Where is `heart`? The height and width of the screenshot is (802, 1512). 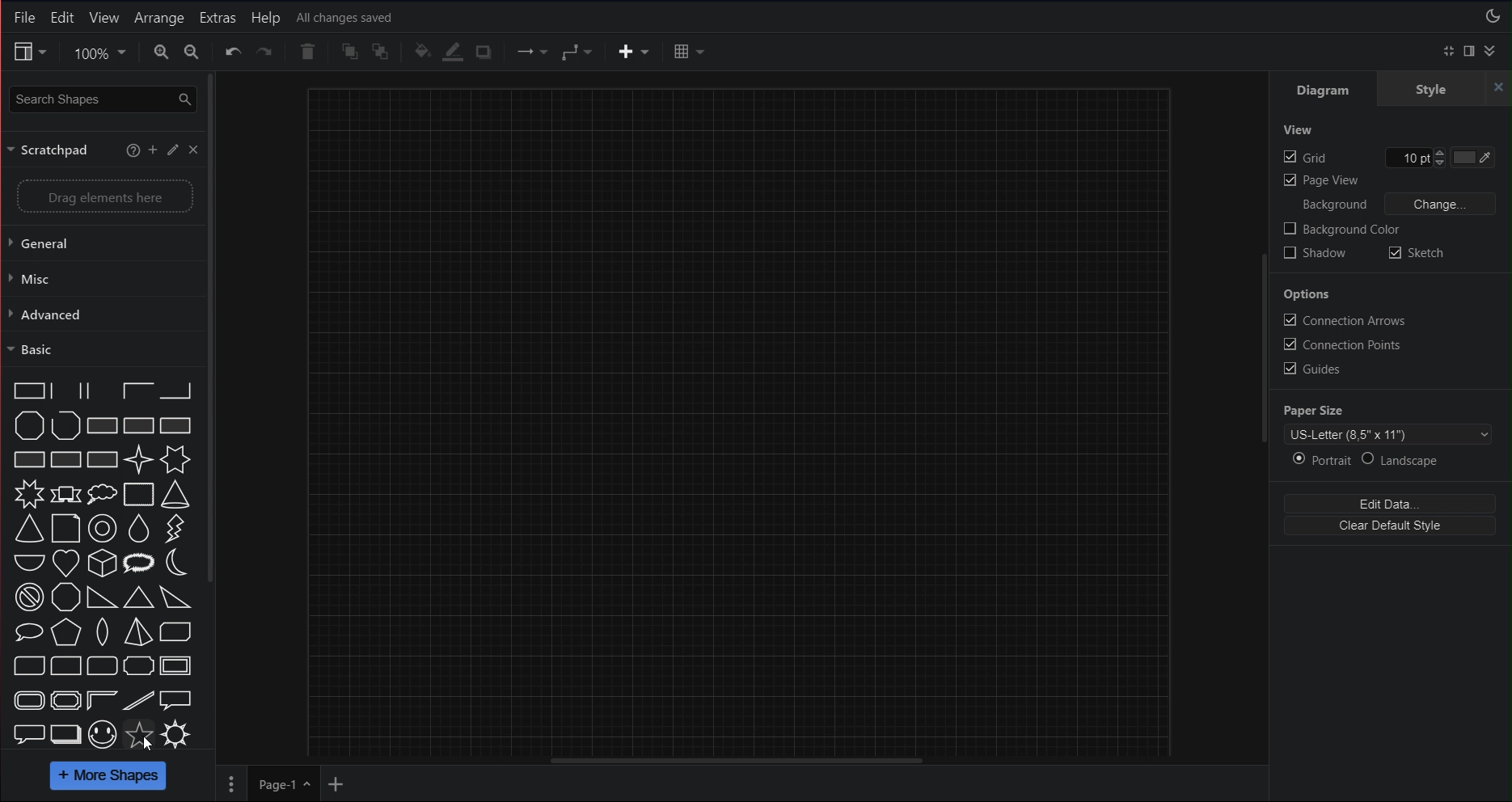 heart is located at coordinates (65, 564).